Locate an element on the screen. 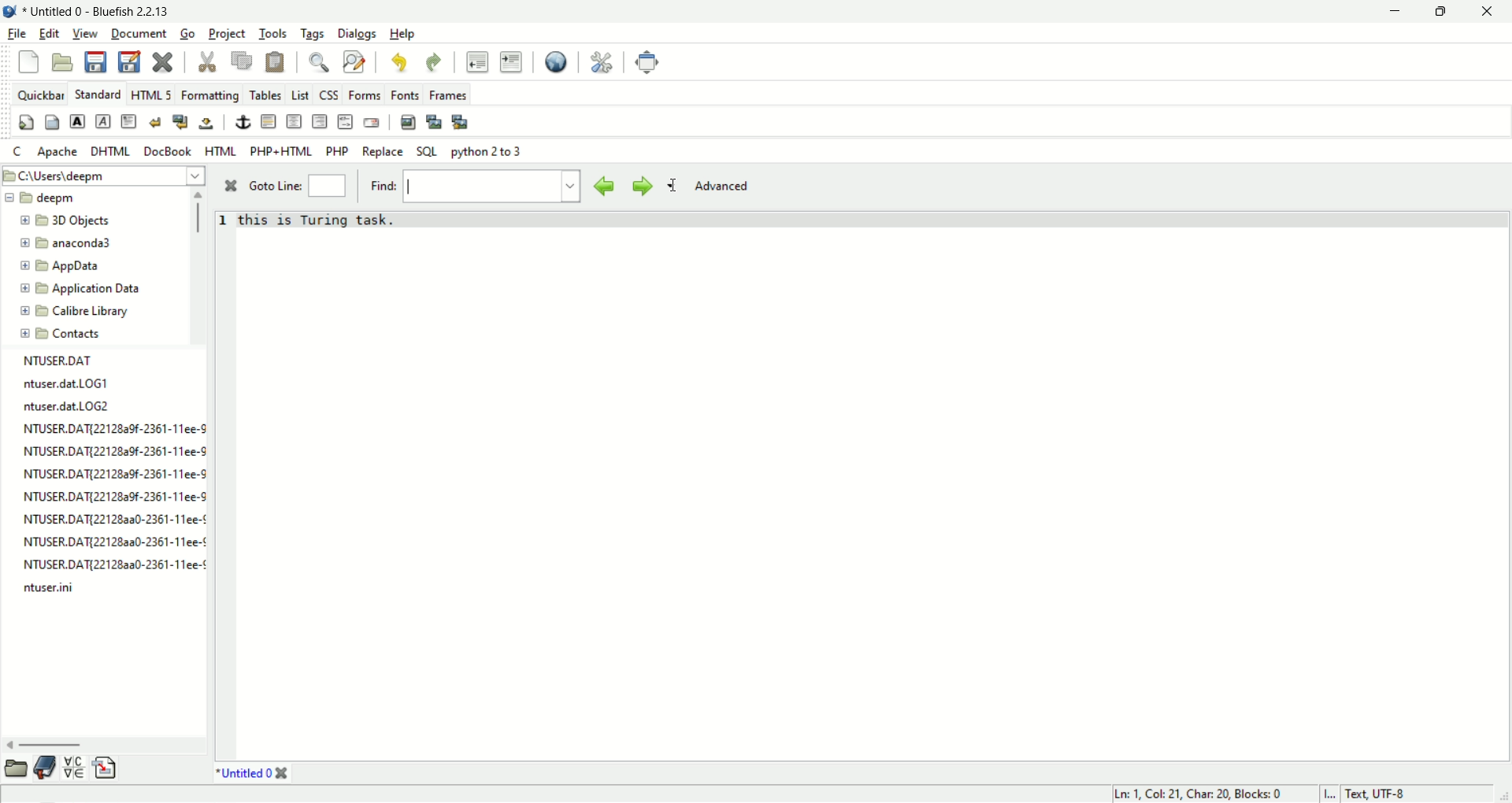 Image resolution: width=1512 pixels, height=803 pixels. * Untitled - Bluefish 2.2.13 is located at coordinates (106, 9).